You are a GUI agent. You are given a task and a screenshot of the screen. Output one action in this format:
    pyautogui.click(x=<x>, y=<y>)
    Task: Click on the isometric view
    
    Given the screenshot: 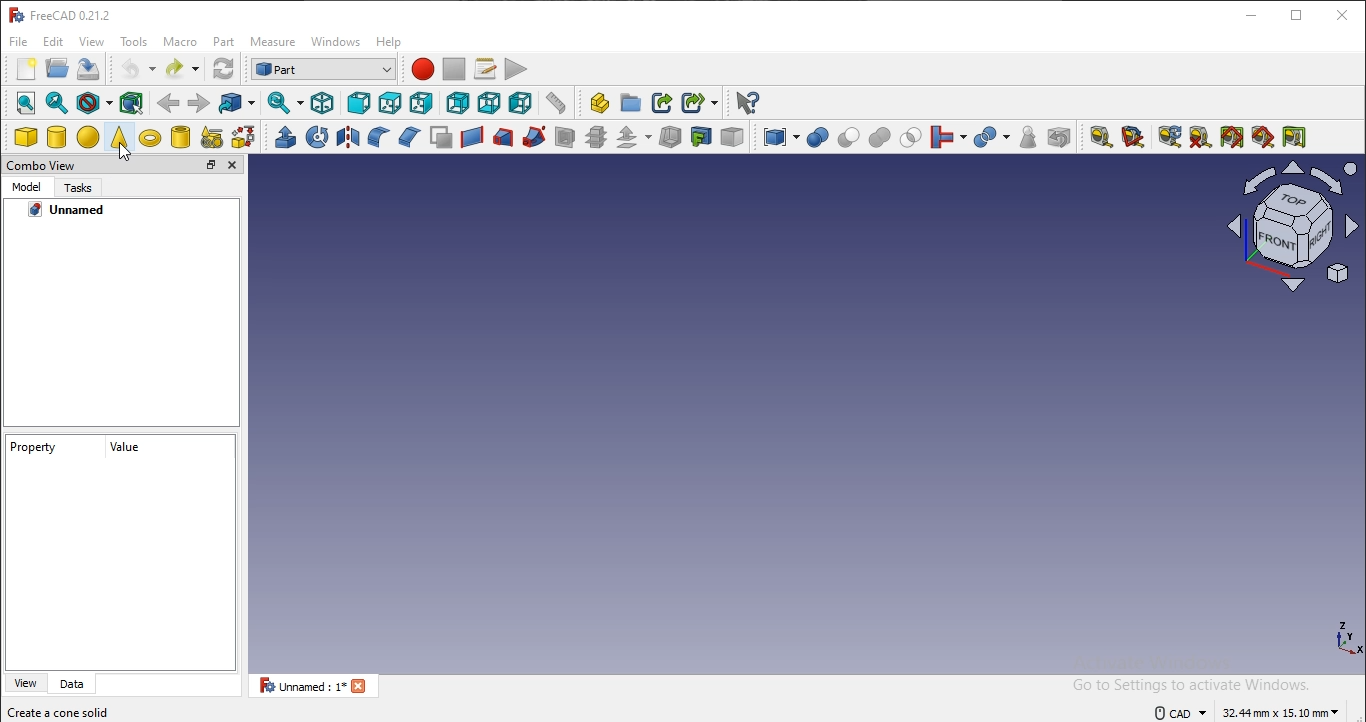 What is the action you would take?
    pyautogui.click(x=322, y=103)
    